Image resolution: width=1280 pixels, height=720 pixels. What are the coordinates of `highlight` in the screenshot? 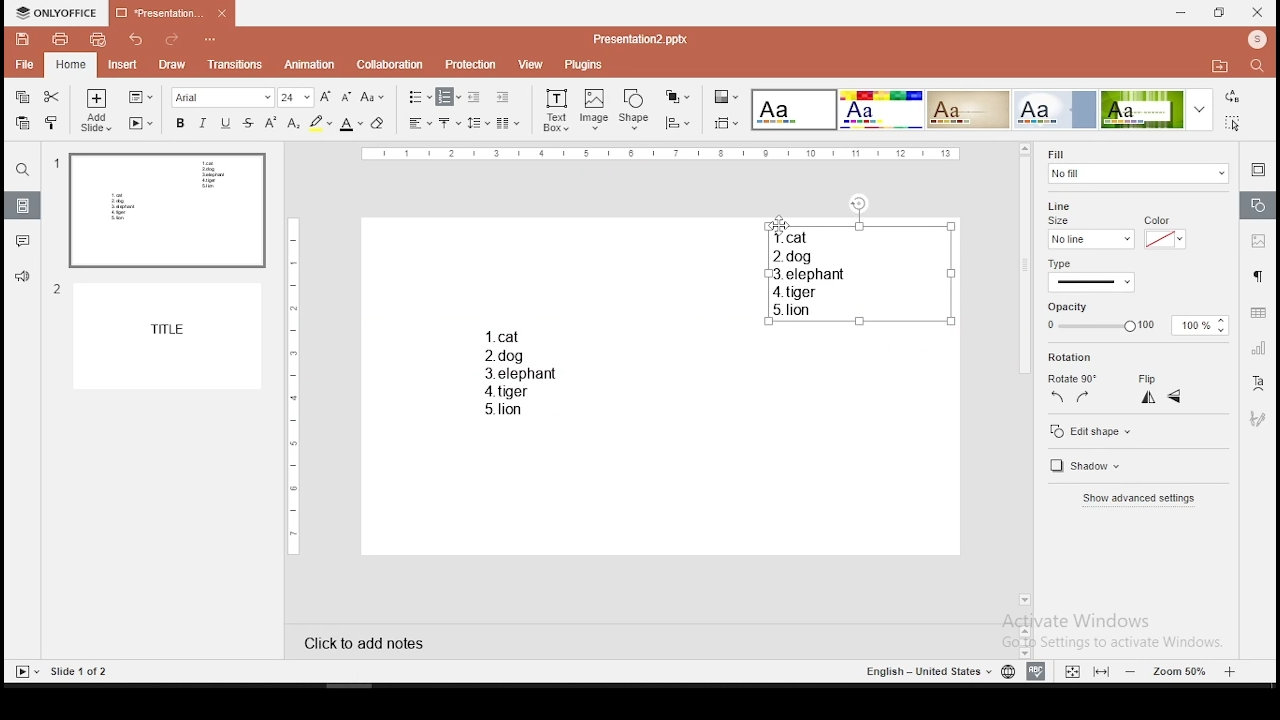 It's located at (320, 123).